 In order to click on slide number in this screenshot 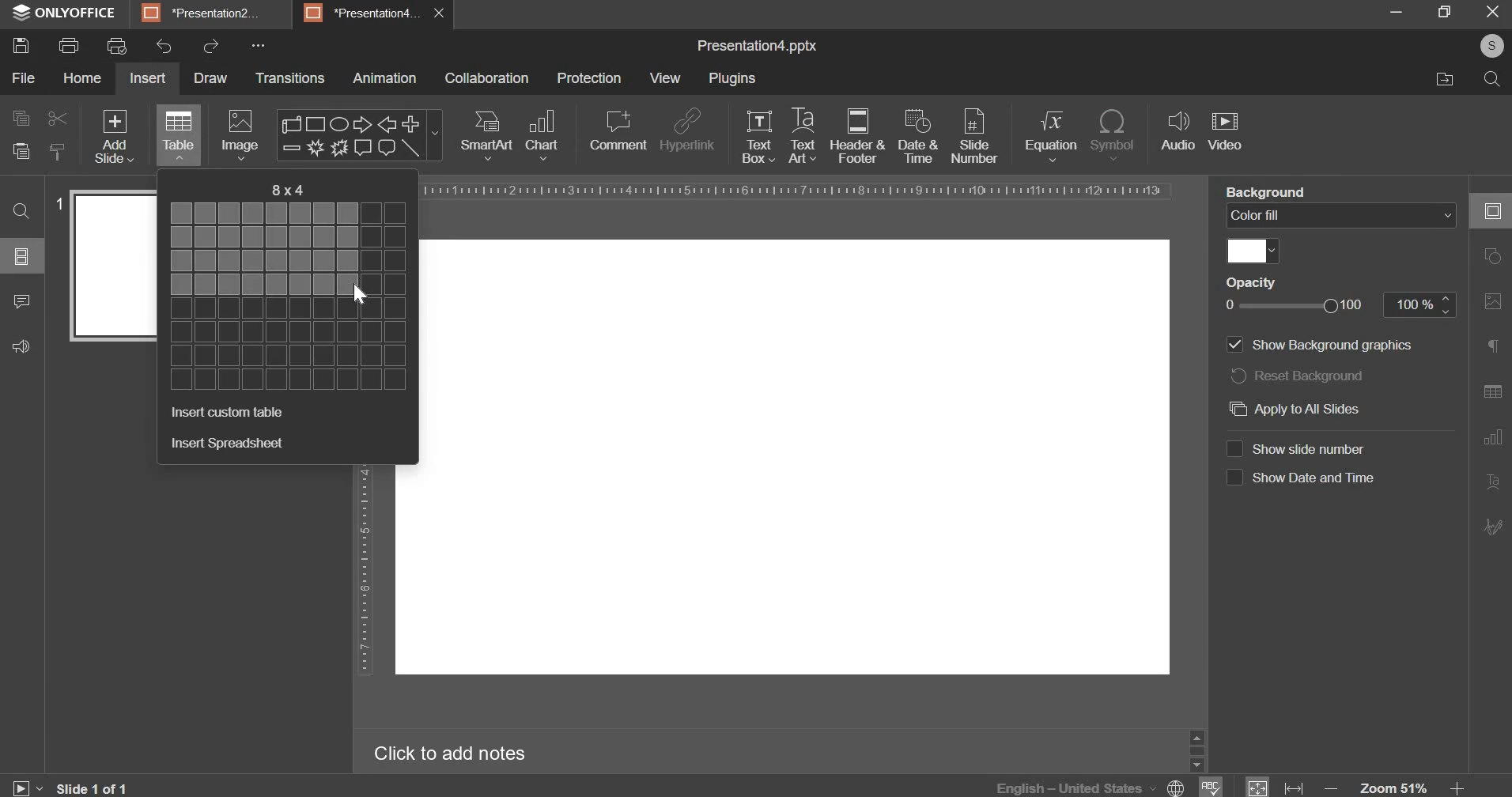, I will do `click(979, 135)`.